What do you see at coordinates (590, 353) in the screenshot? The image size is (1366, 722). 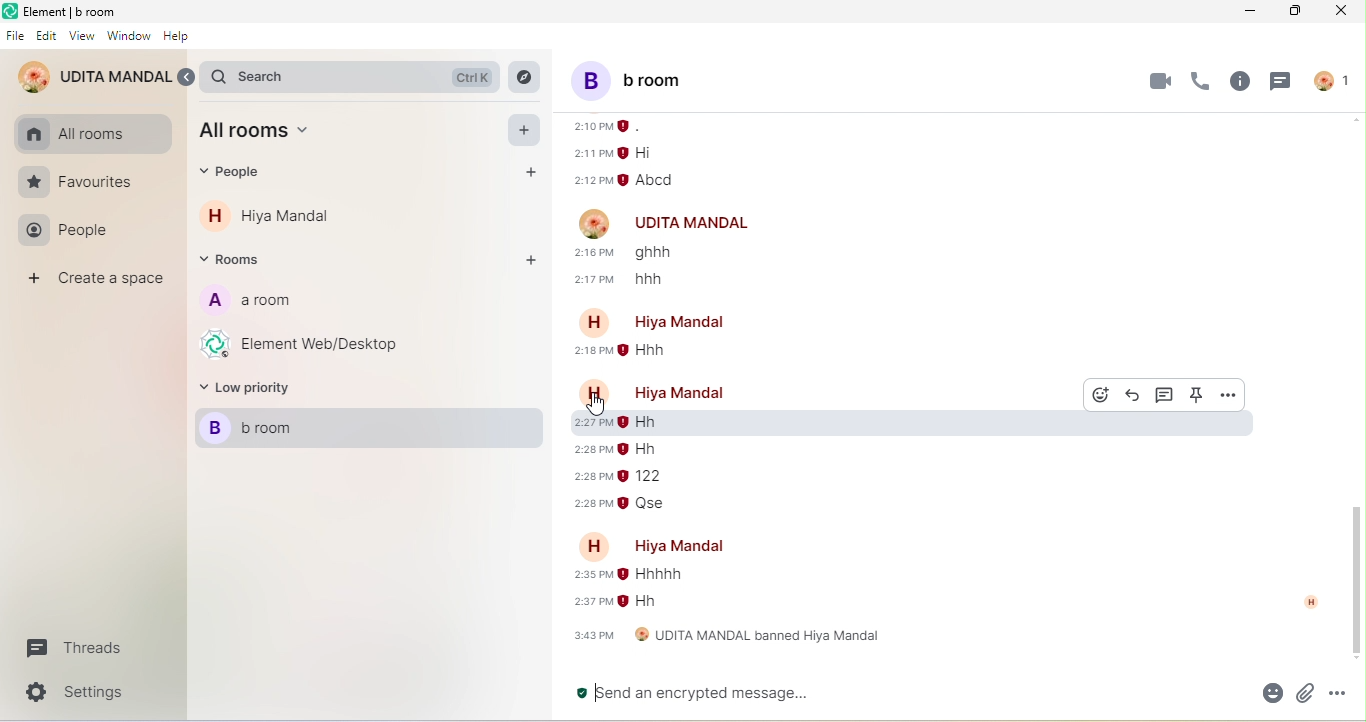 I see `sending message time` at bounding box center [590, 353].